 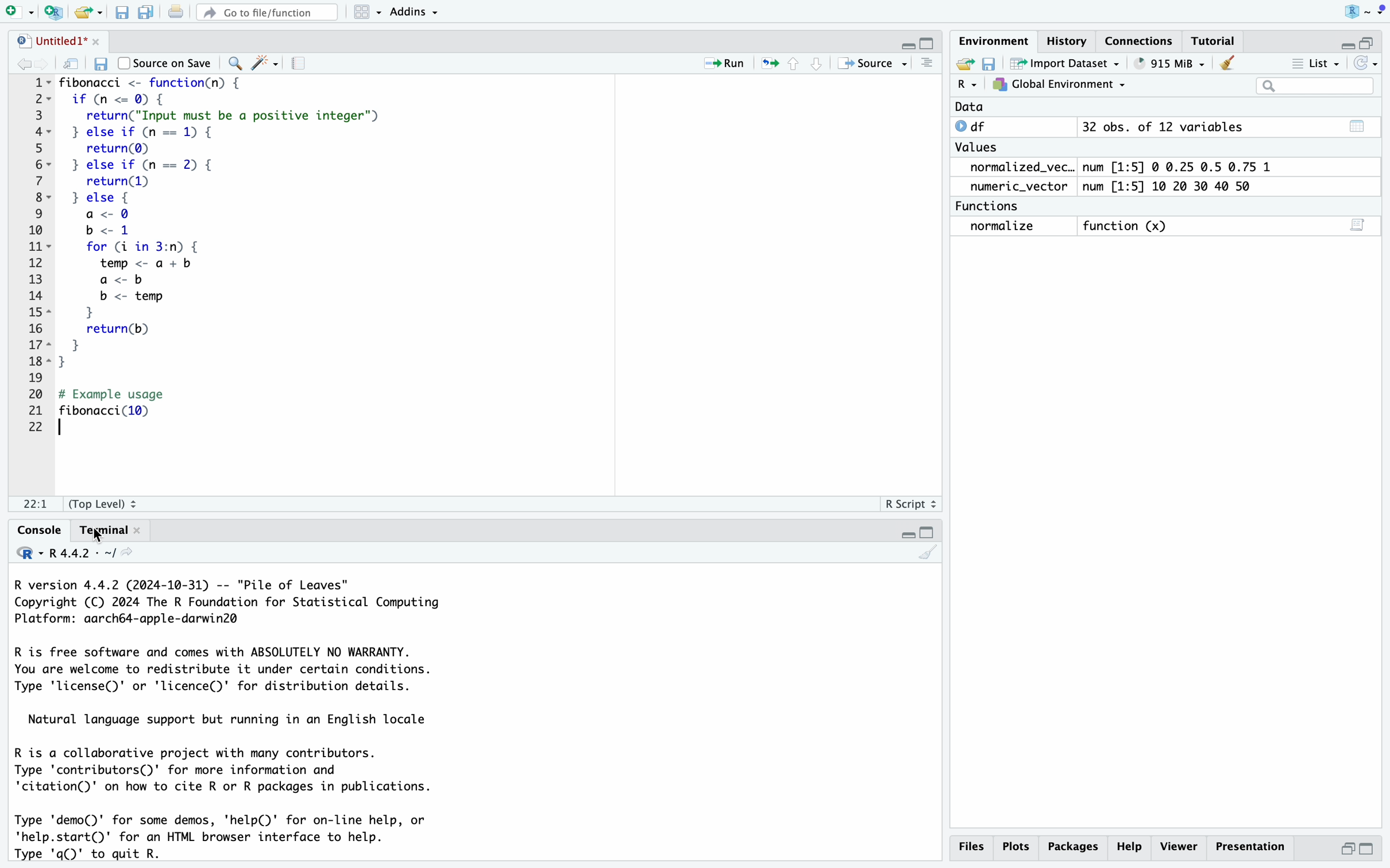 What do you see at coordinates (929, 530) in the screenshot?
I see `maximize` at bounding box center [929, 530].